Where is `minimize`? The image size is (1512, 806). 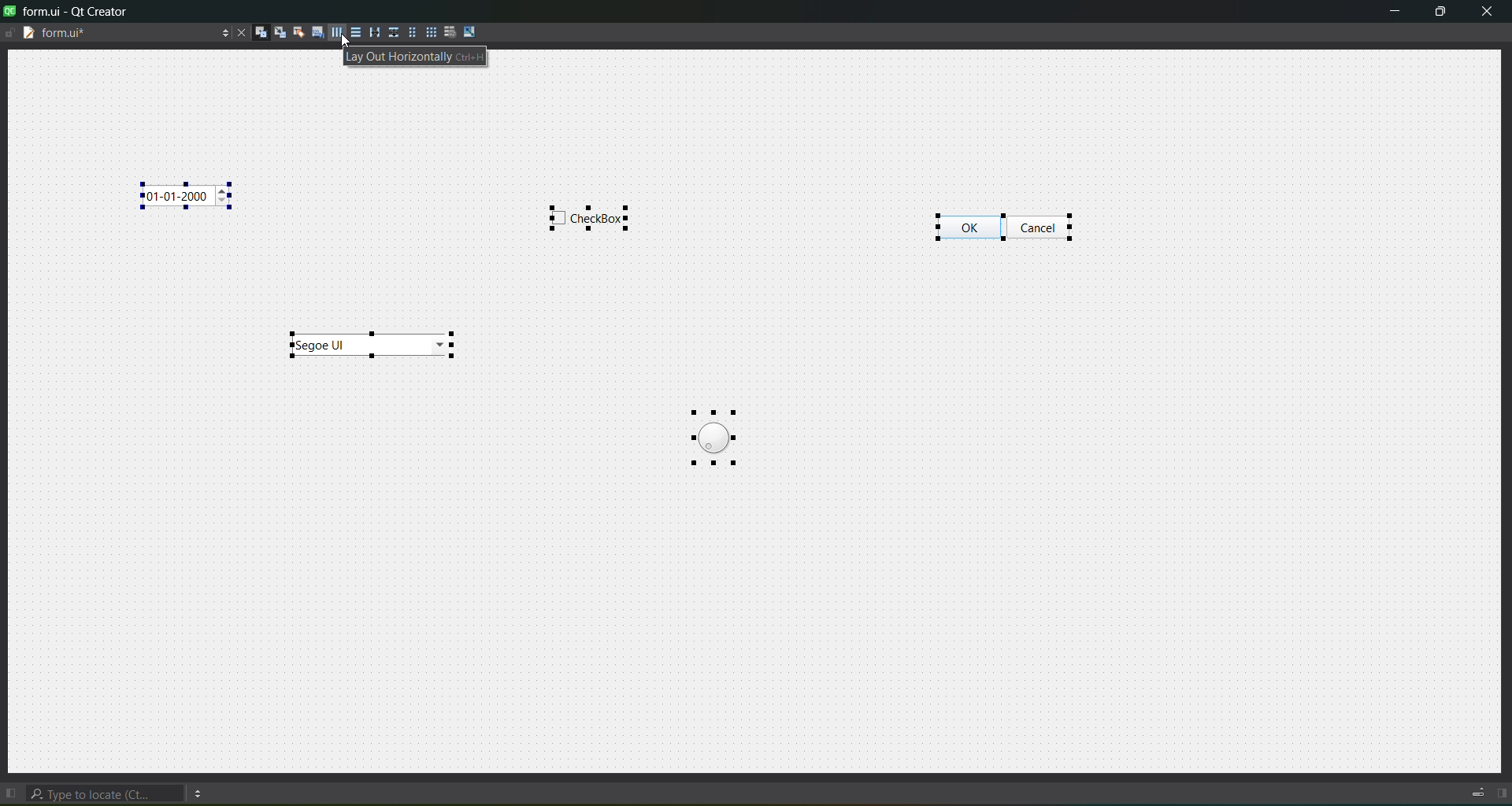 minimize is located at coordinates (1395, 13).